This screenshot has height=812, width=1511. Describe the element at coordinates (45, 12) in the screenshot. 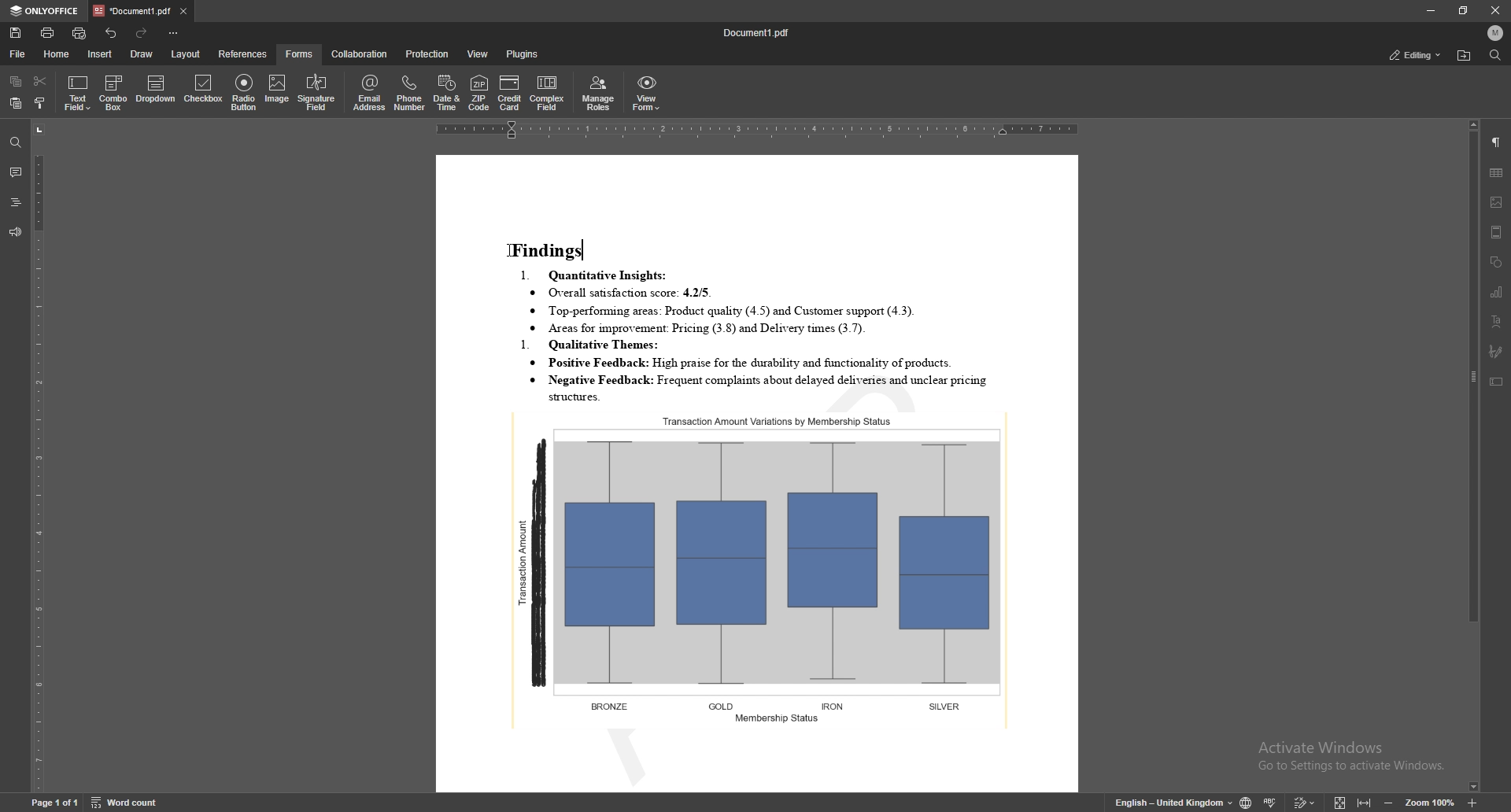

I see `onlyoffice` at that location.